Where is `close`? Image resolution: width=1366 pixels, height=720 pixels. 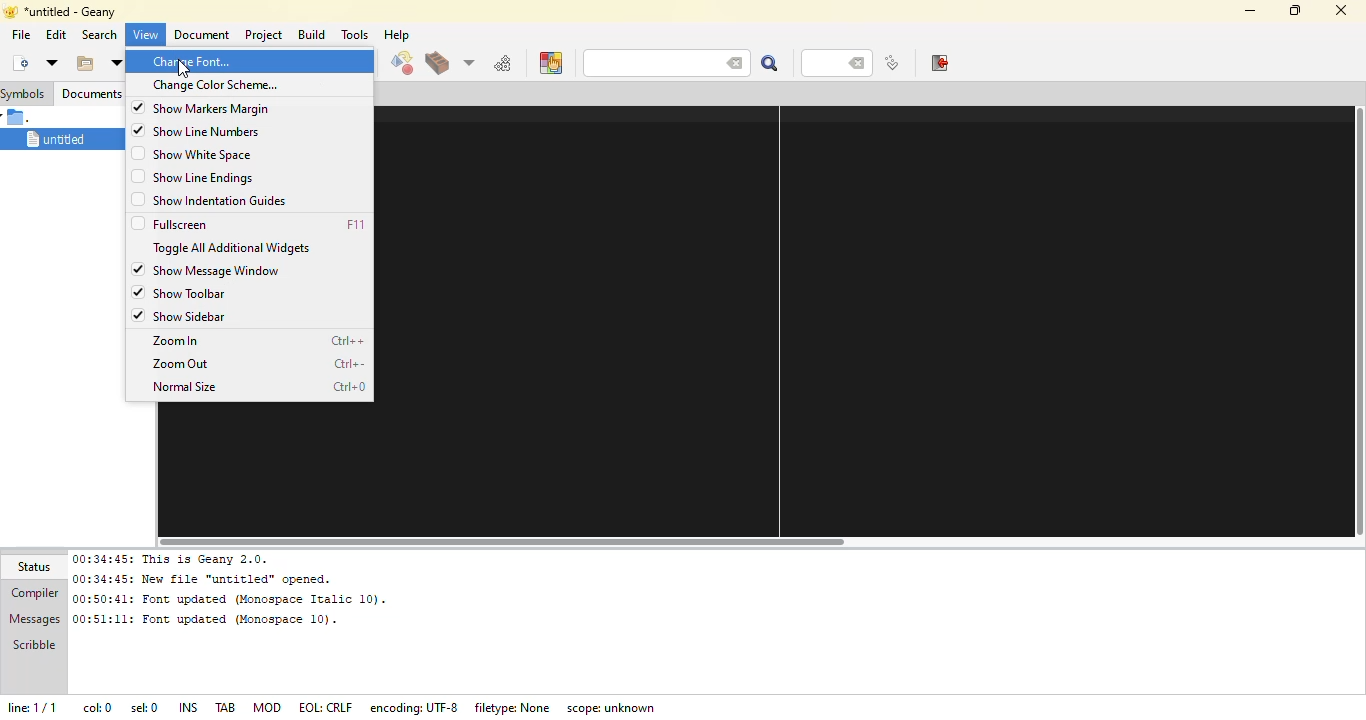 close is located at coordinates (1342, 12).